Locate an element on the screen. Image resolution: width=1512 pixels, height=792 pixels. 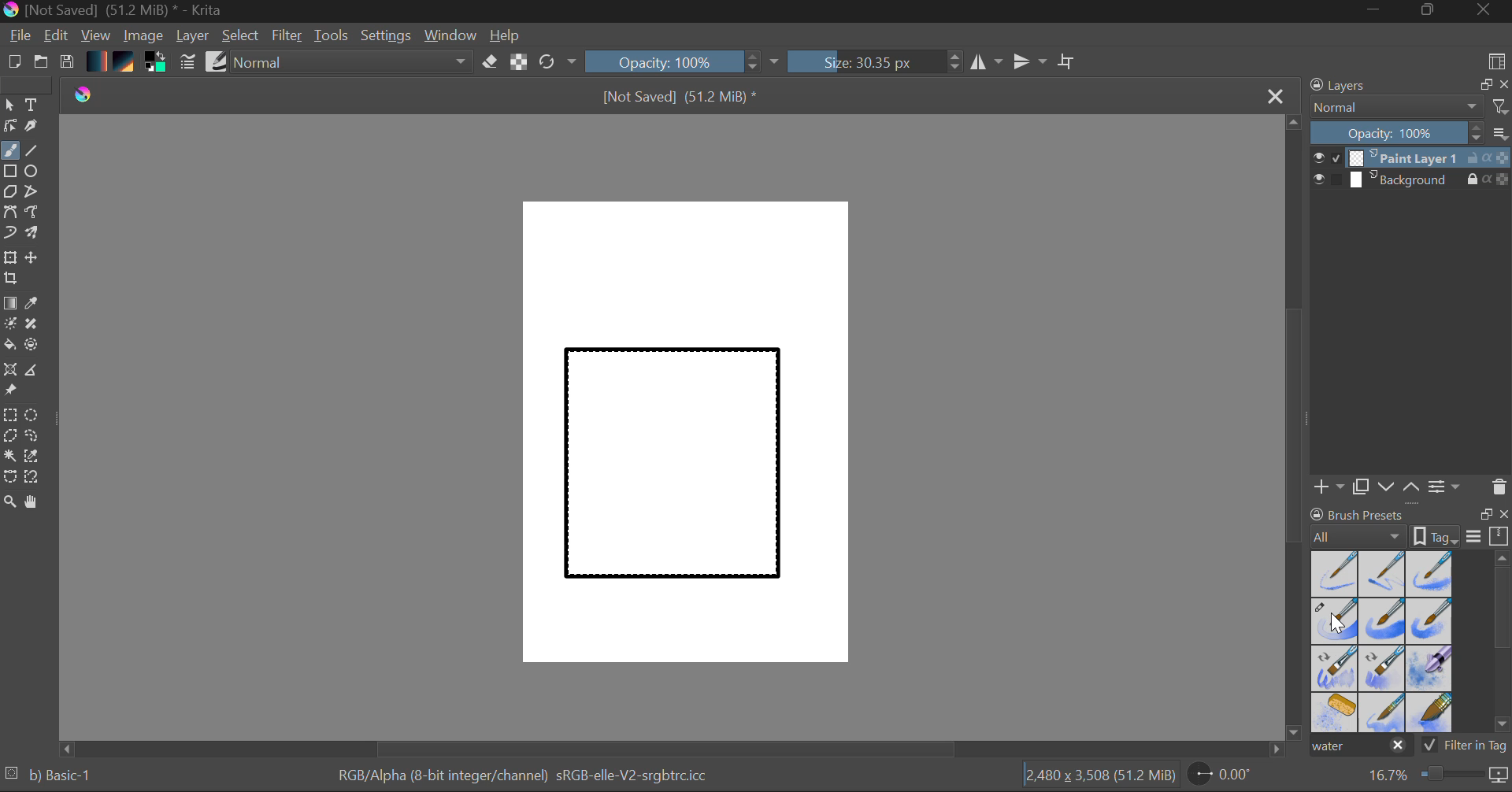
Close is located at coordinates (1485, 11).